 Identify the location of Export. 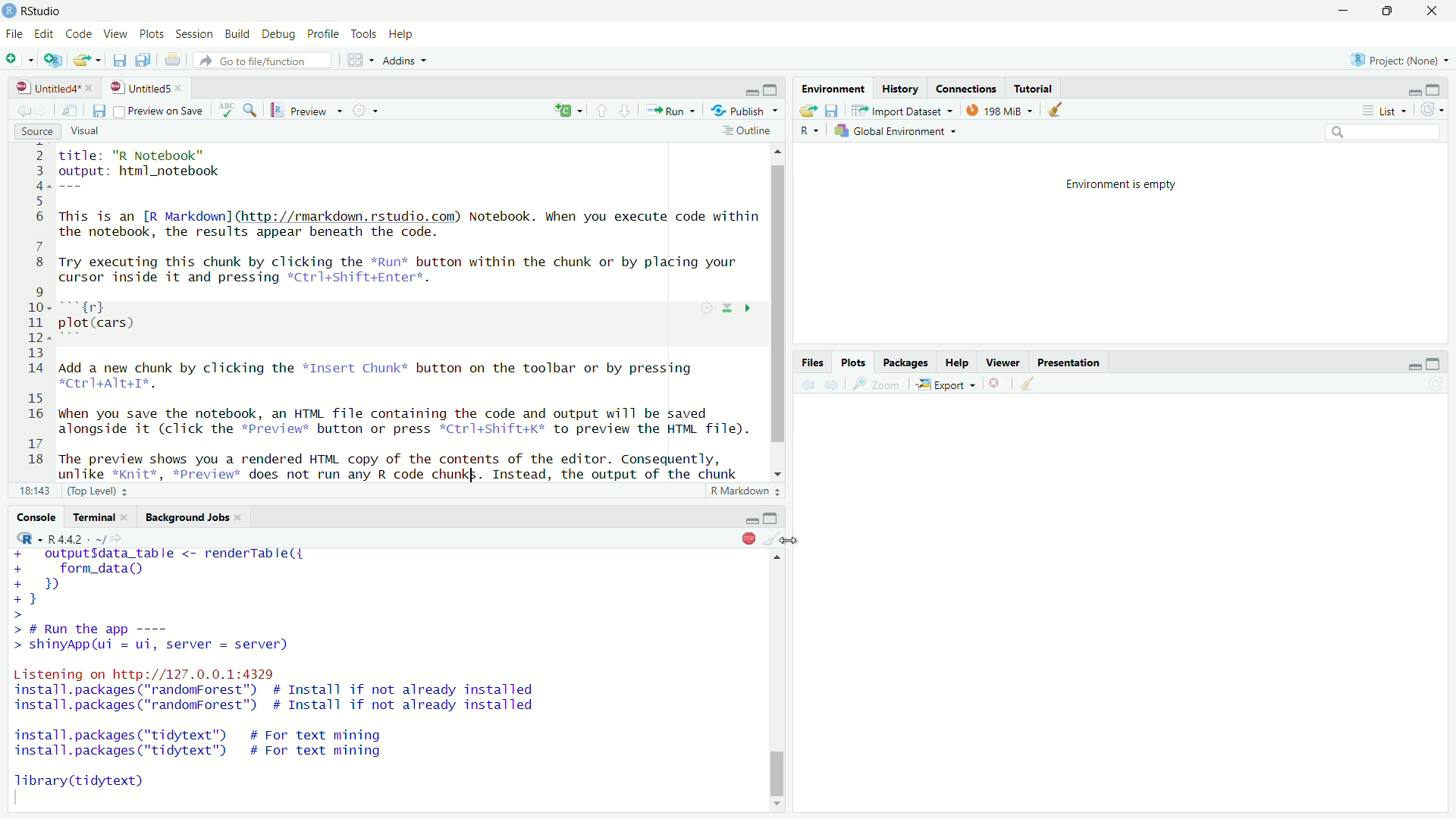
(948, 385).